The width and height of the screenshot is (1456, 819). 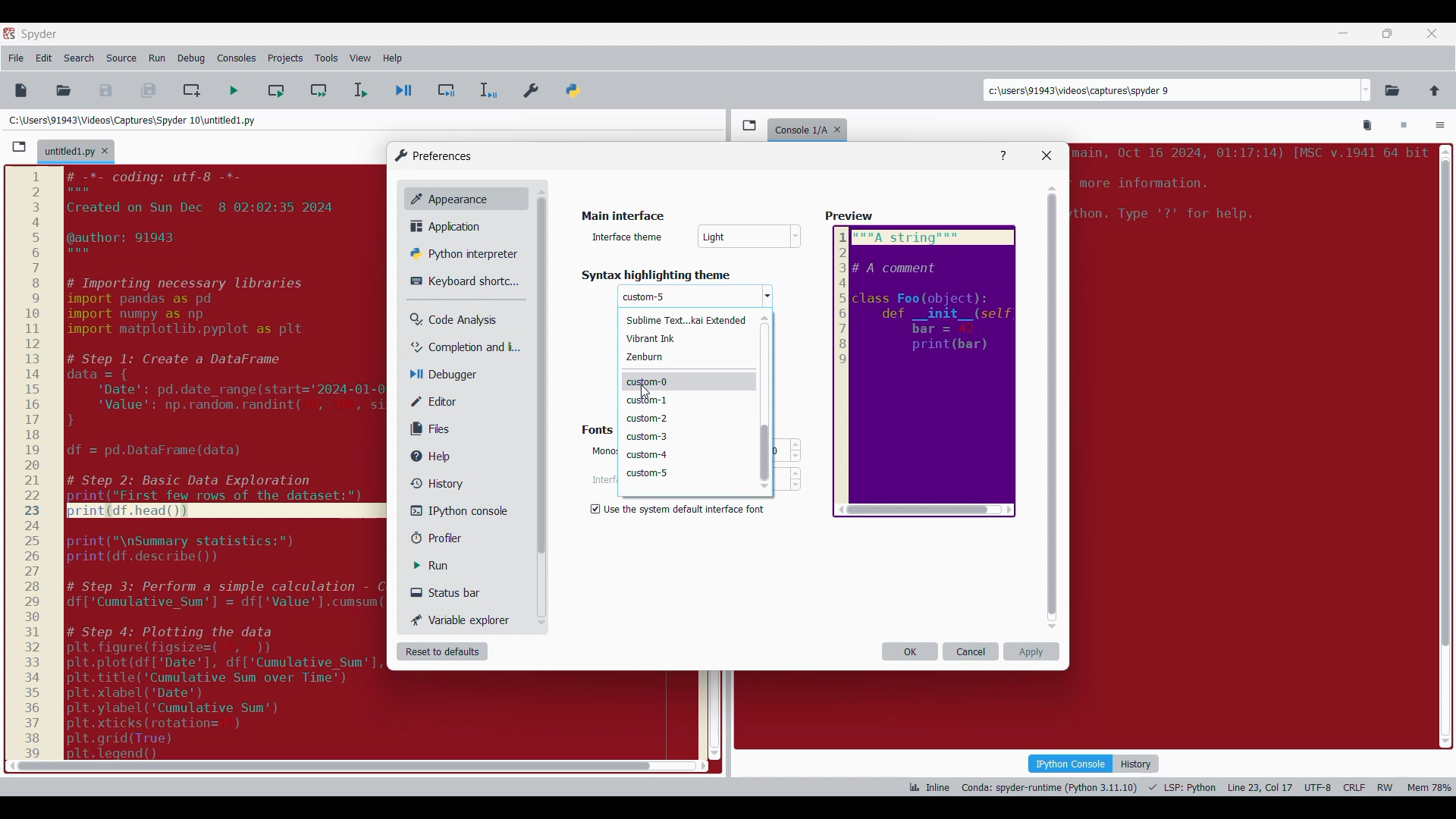 I want to click on Projects menu, so click(x=285, y=58).